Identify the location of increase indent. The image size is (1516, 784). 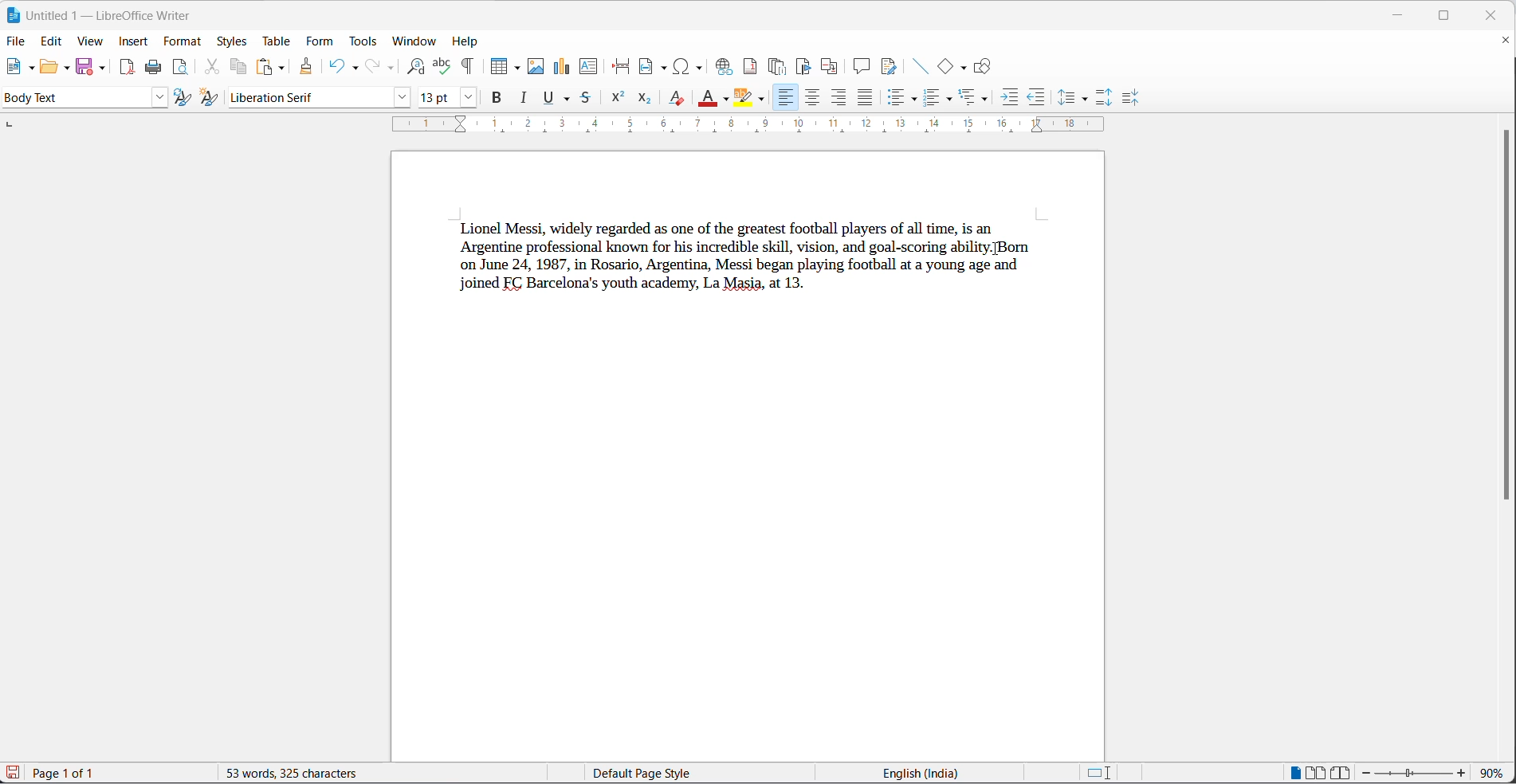
(1010, 95).